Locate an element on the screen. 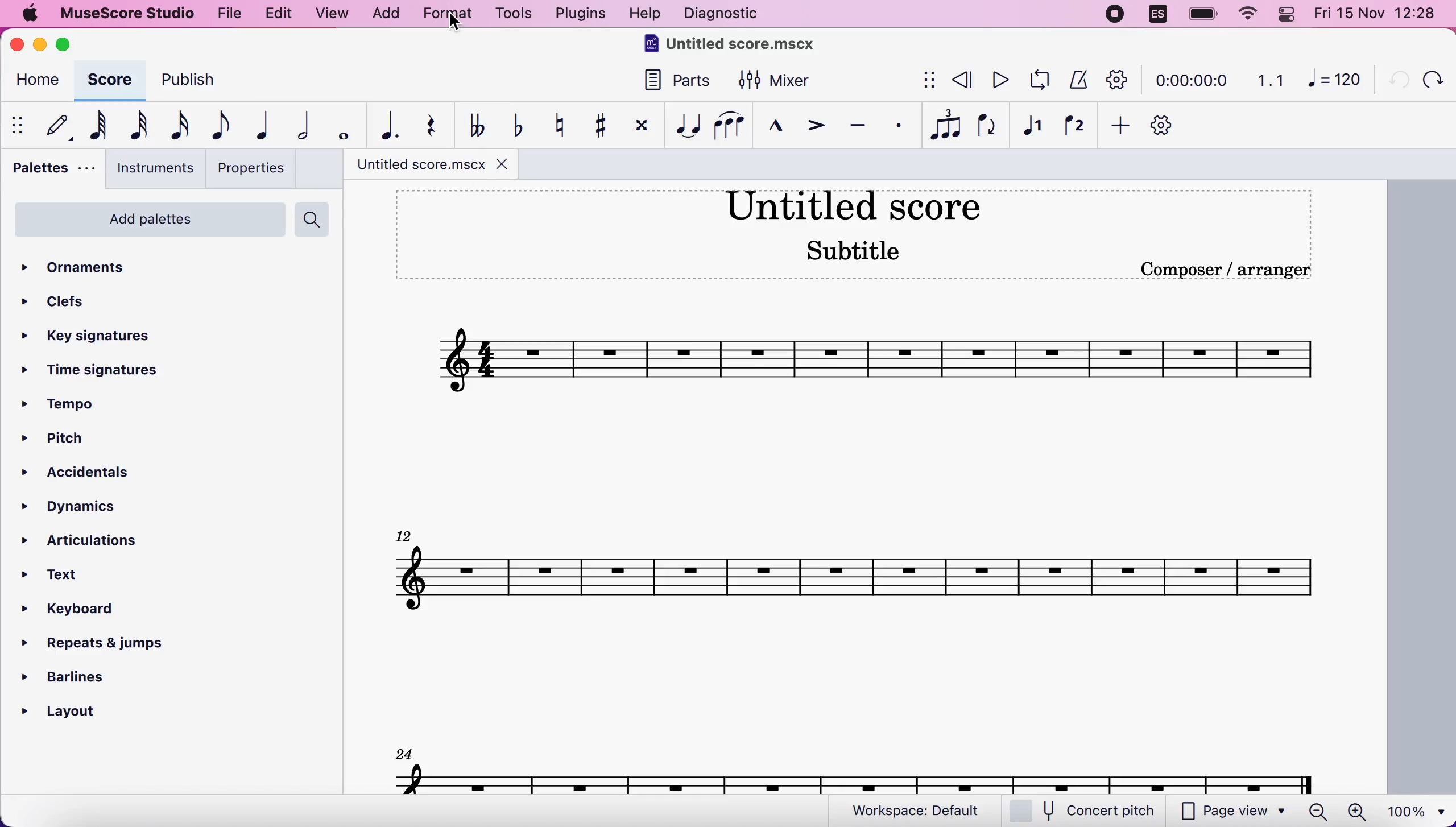  augmentation dot is located at coordinates (383, 126).